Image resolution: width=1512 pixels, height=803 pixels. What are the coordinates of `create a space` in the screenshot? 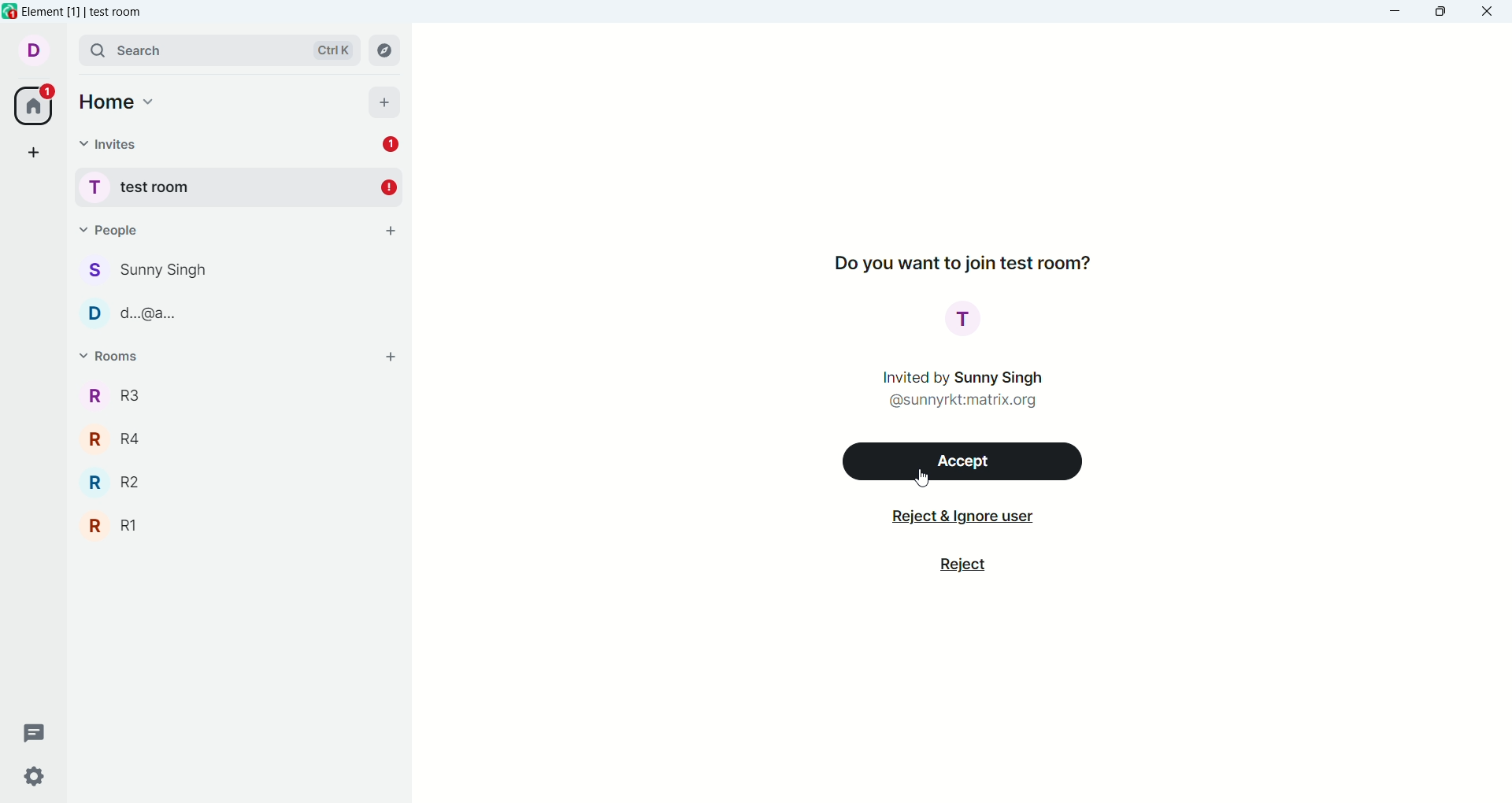 It's located at (34, 151).